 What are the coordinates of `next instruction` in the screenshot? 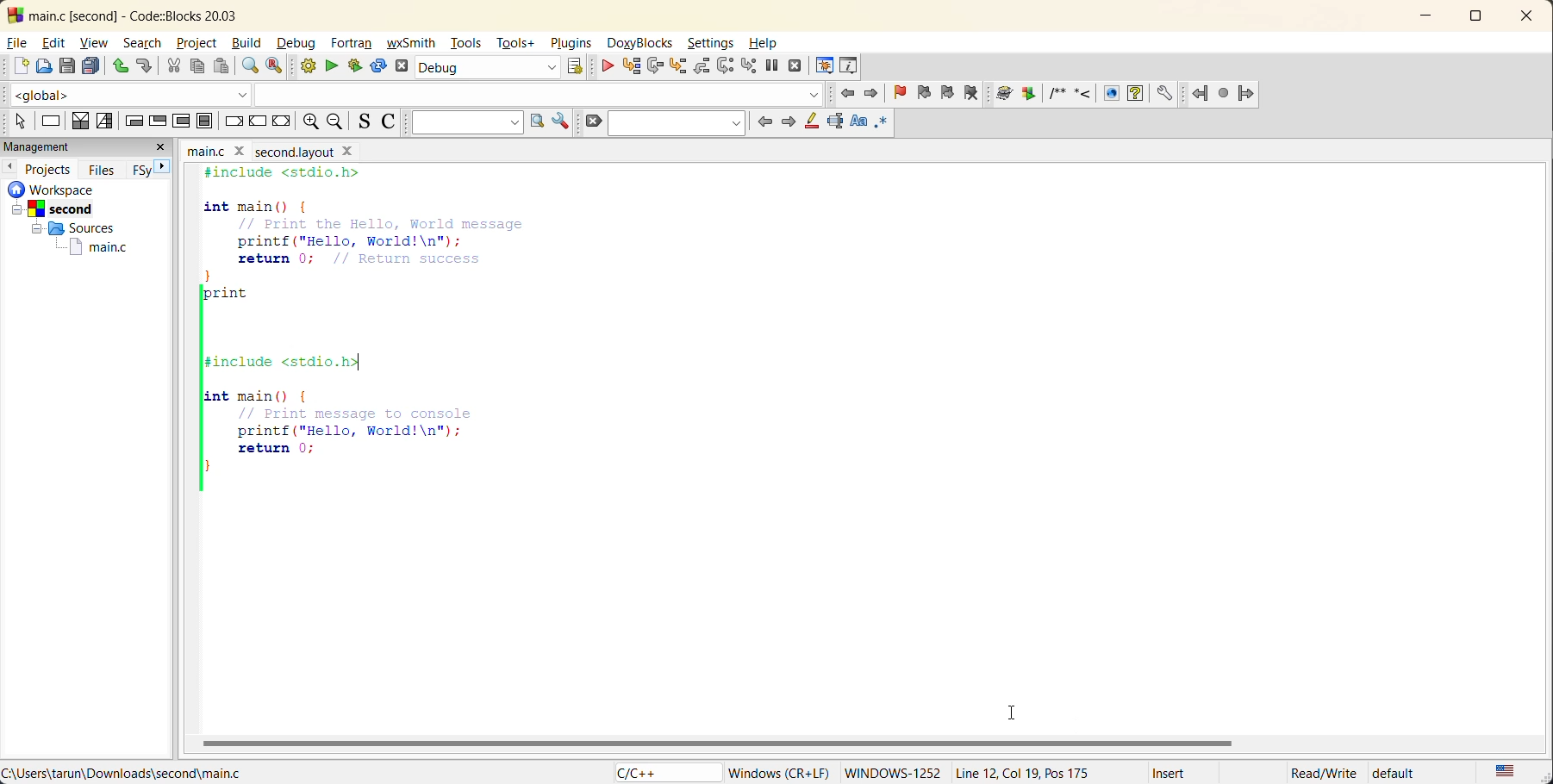 It's located at (729, 65).